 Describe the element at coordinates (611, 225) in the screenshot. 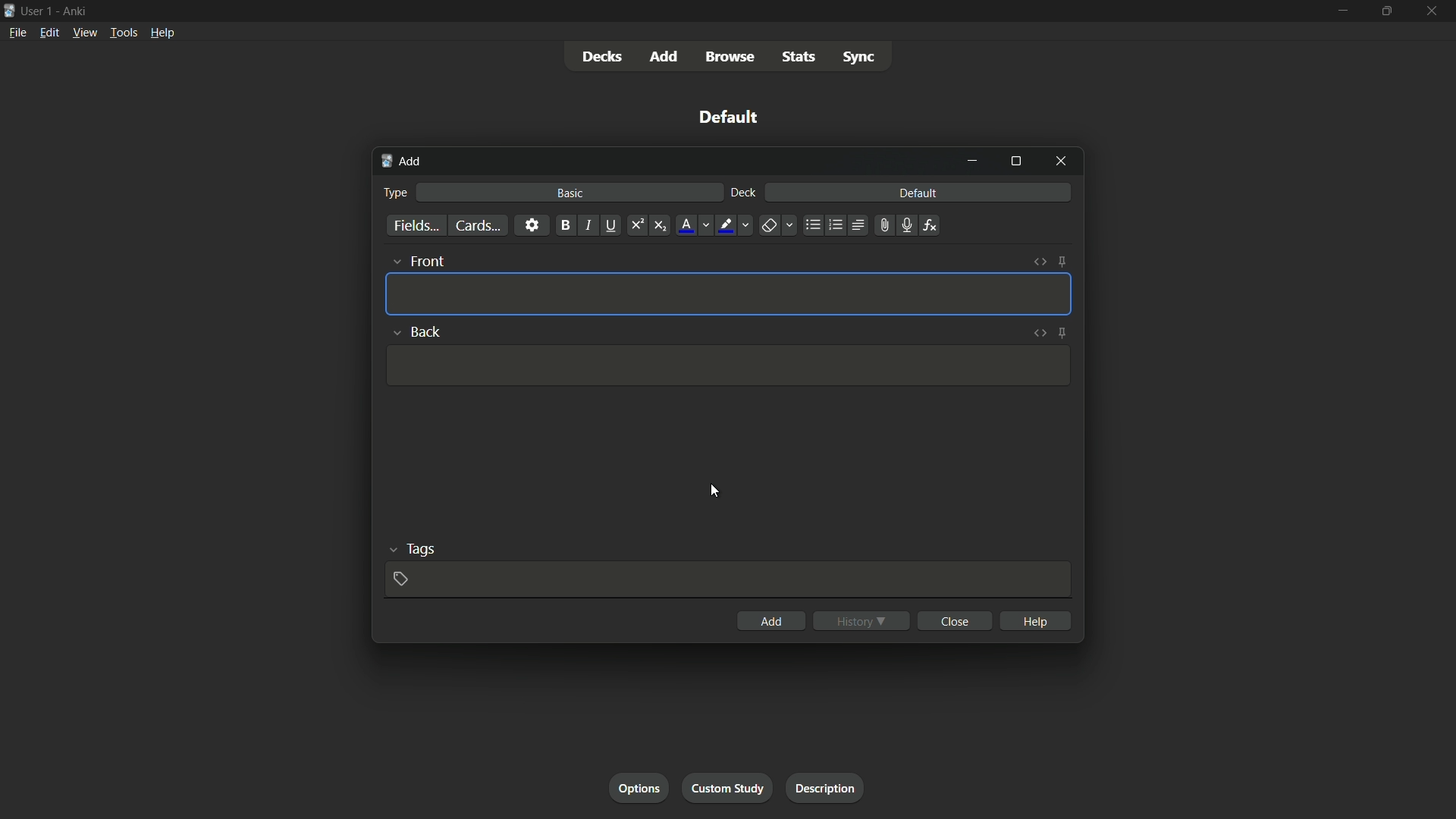

I see `underline` at that location.